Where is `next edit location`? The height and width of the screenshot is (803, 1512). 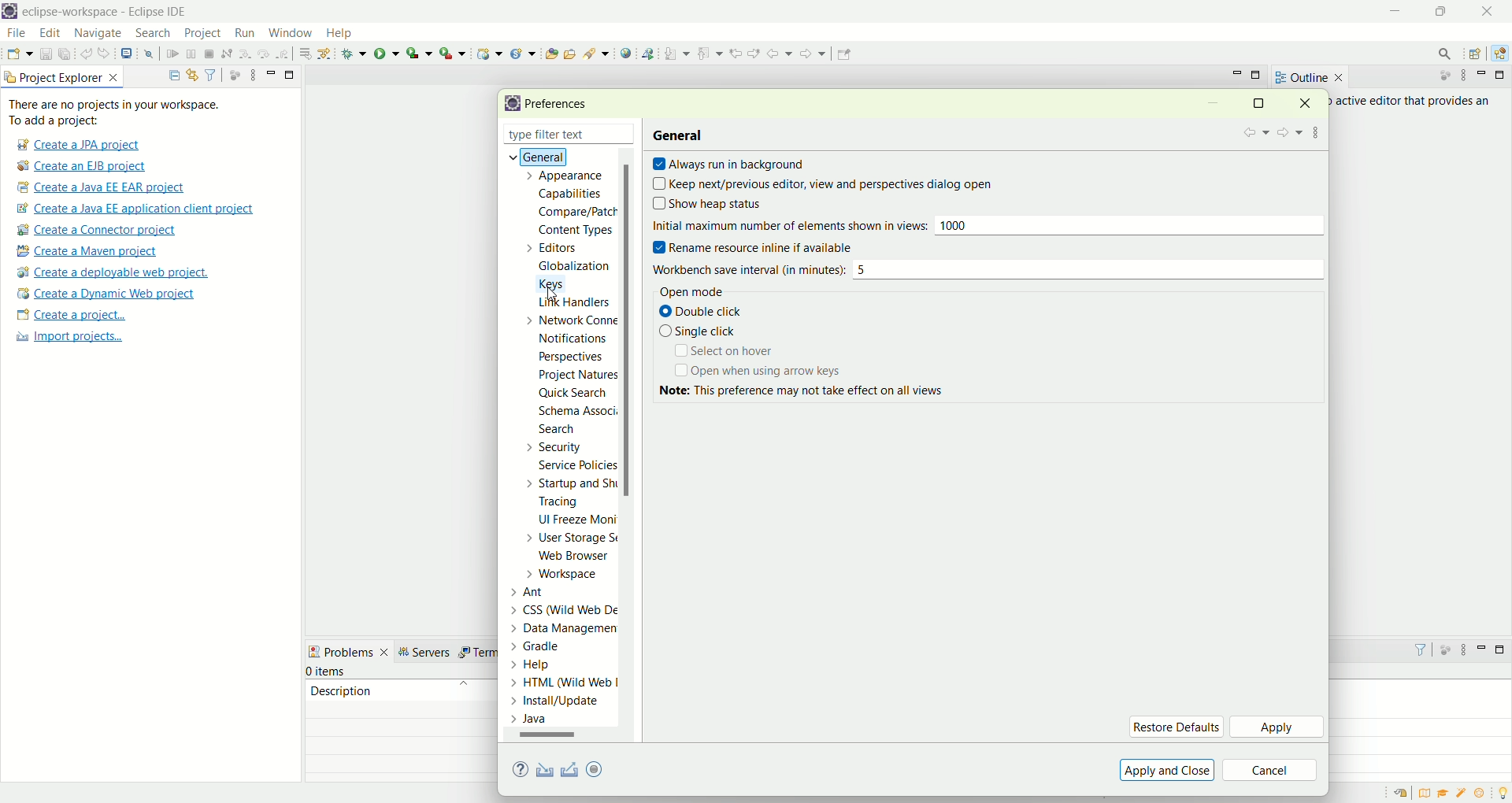 next edit location is located at coordinates (756, 52).